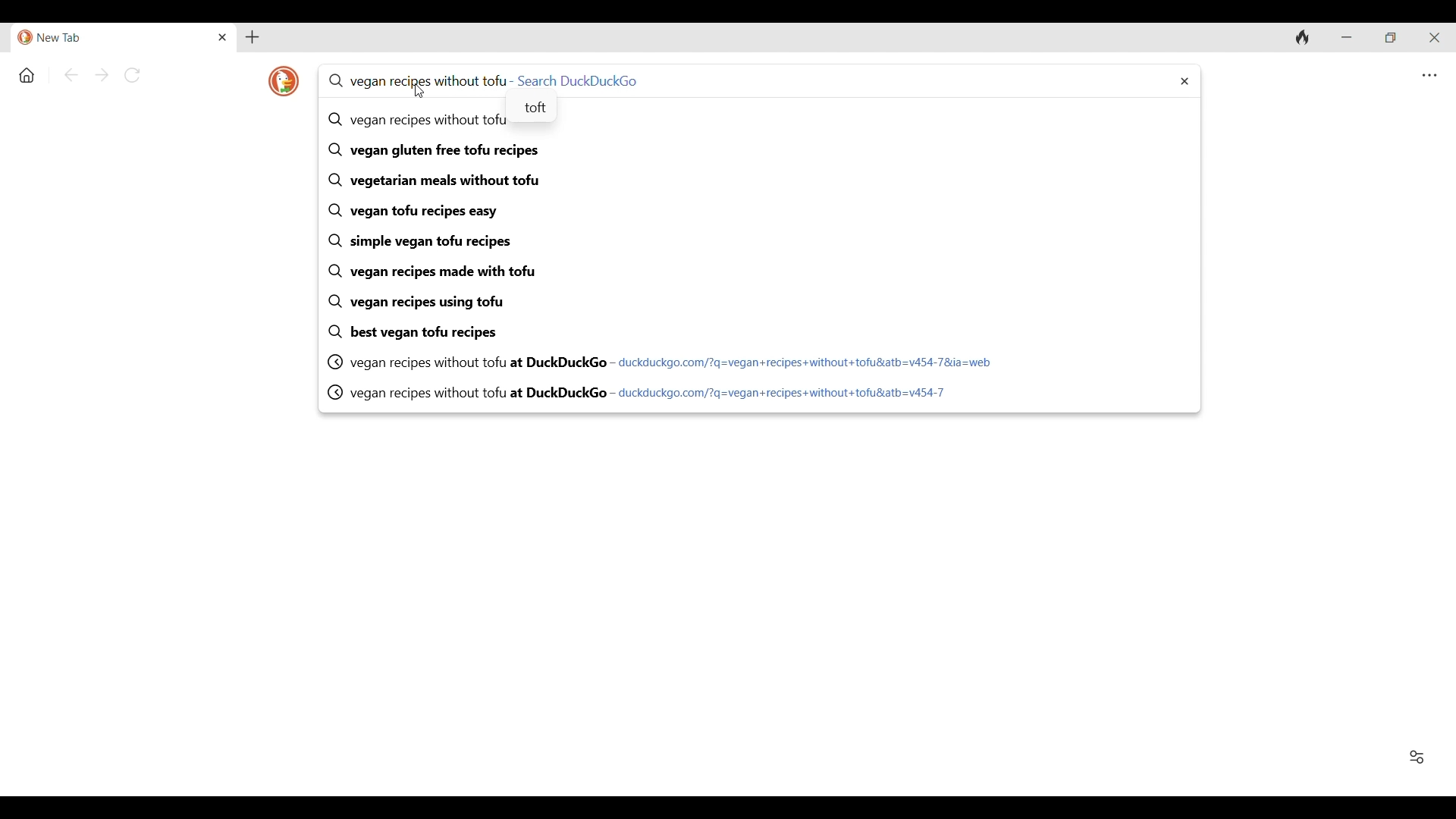 This screenshot has width=1456, height=819. I want to click on Close current open tab, so click(222, 37).